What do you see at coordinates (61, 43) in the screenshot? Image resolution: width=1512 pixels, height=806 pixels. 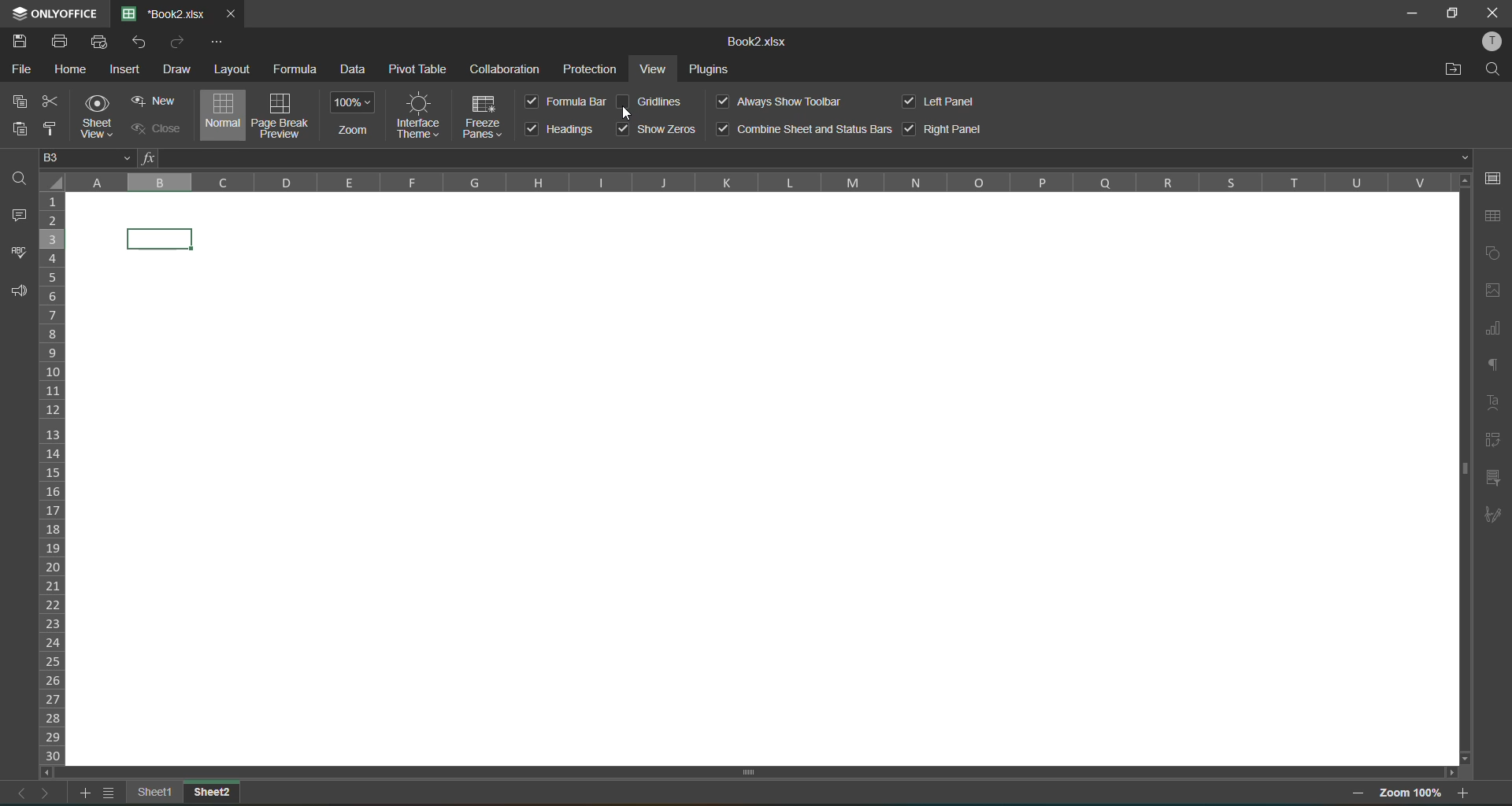 I see `print` at bounding box center [61, 43].